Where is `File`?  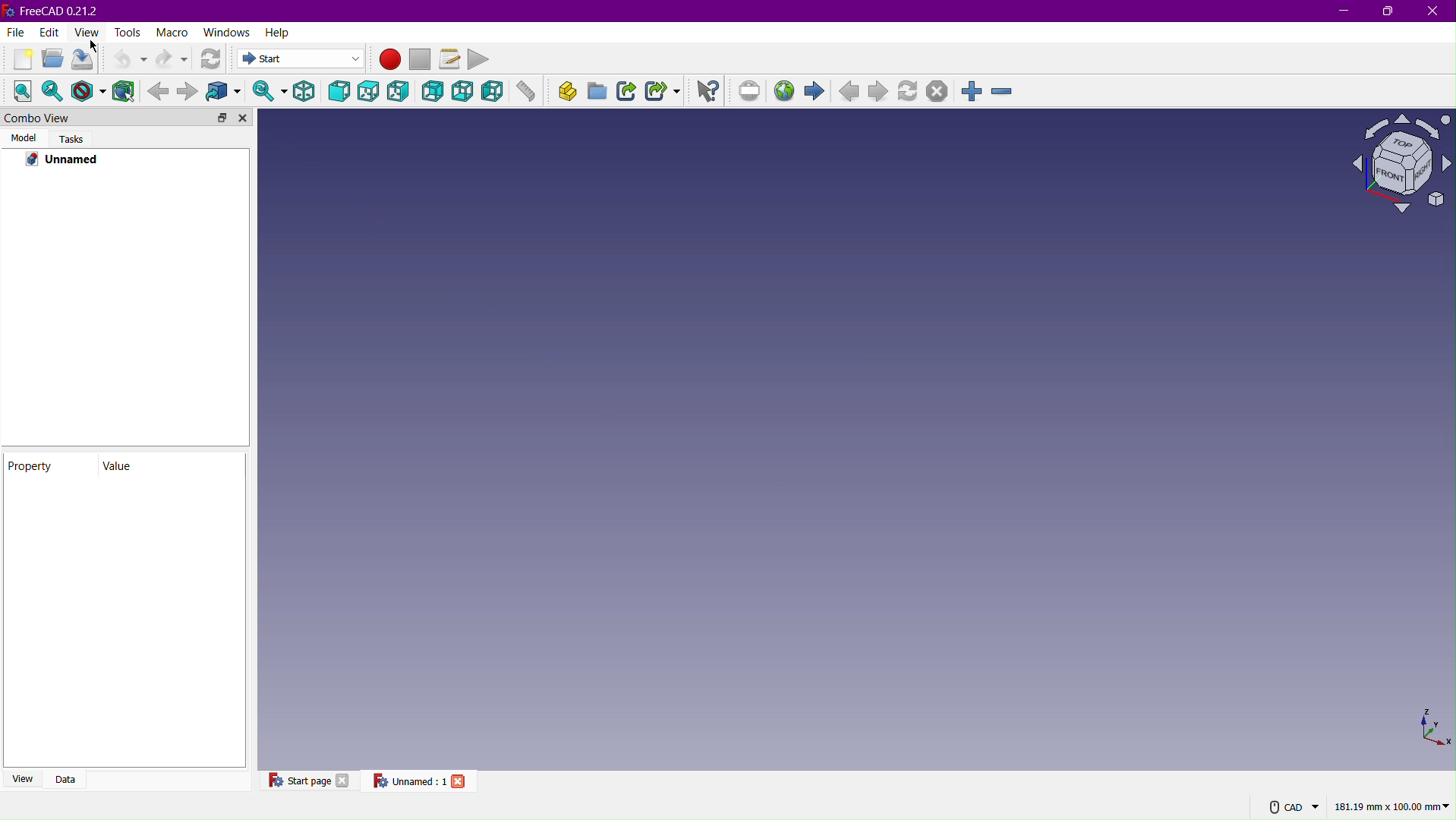 File is located at coordinates (14, 33).